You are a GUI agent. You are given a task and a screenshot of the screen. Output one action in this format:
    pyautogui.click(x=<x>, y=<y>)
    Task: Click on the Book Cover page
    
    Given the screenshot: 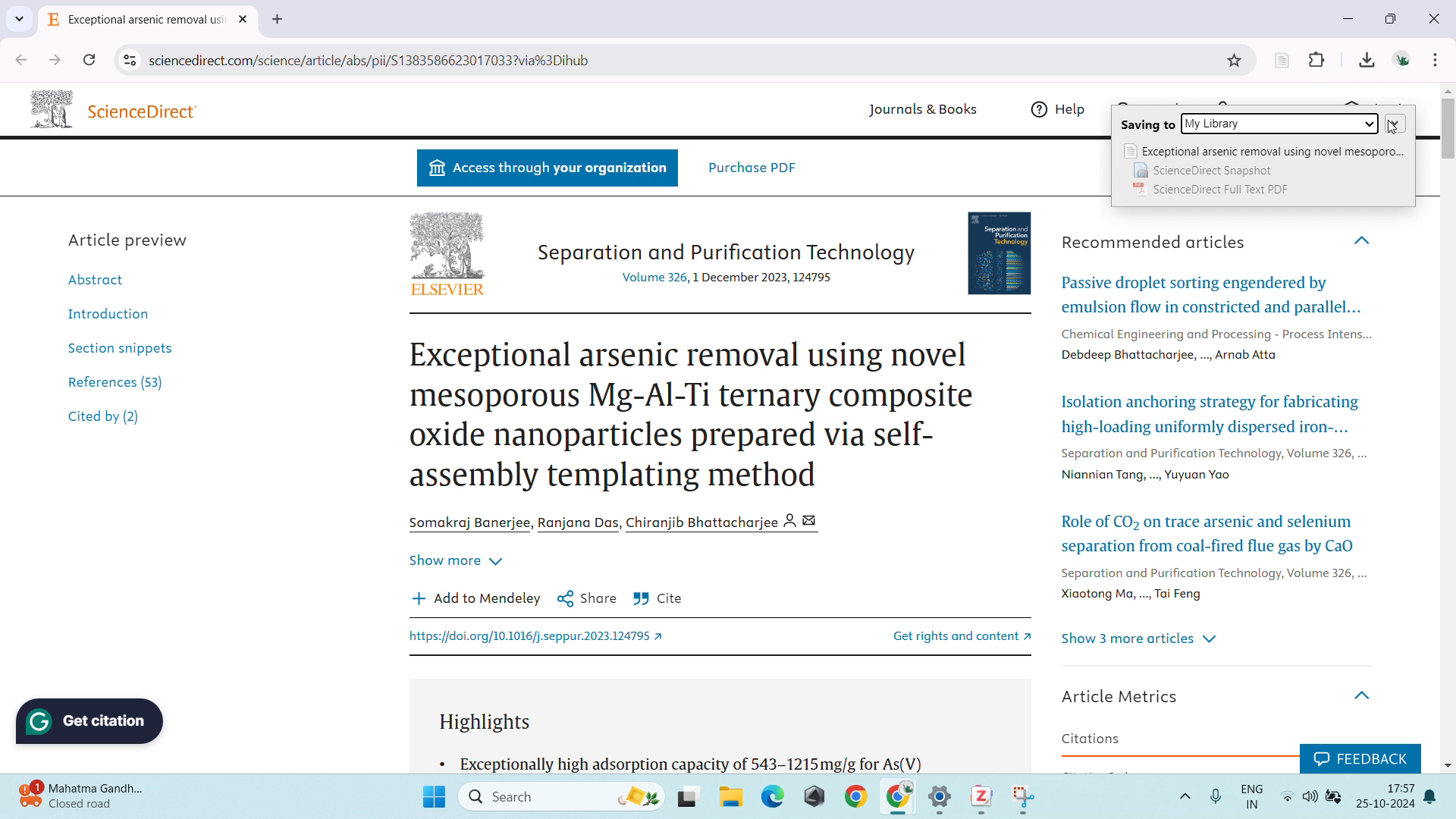 What is the action you would take?
    pyautogui.click(x=1002, y=250)
    